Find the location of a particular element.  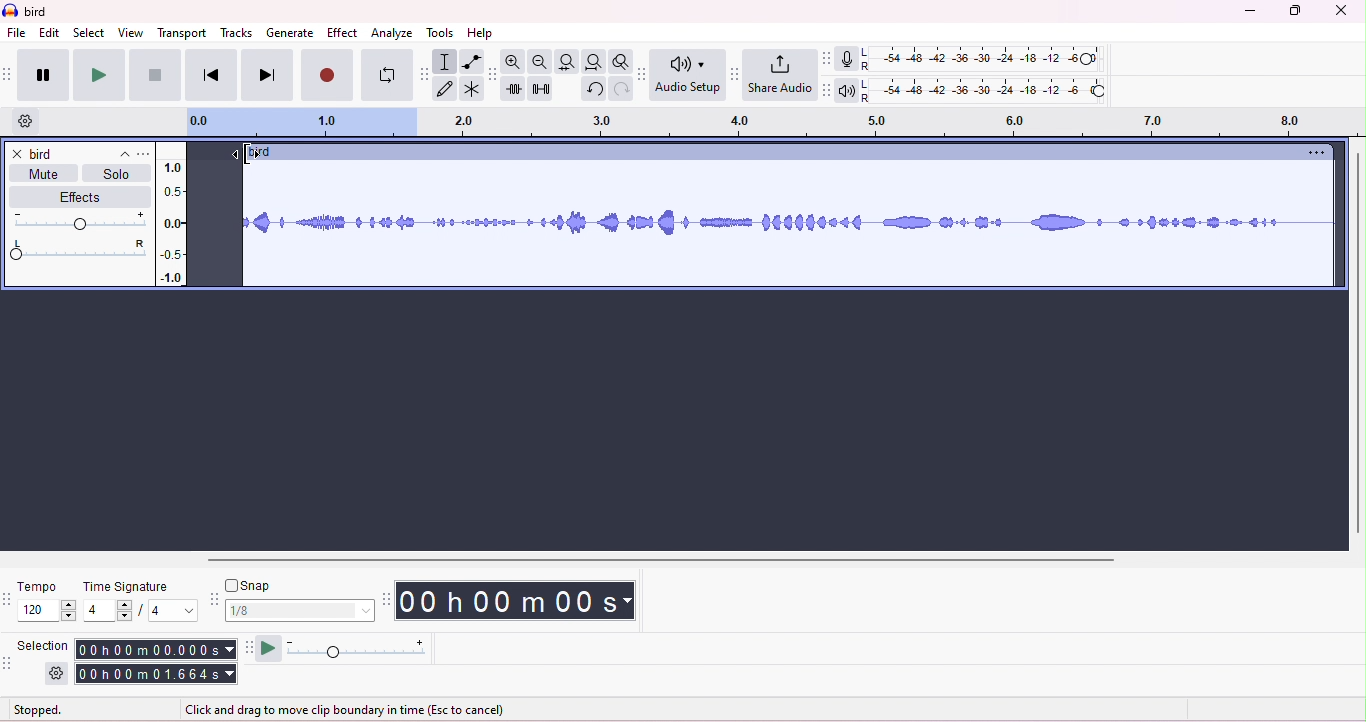

selection is located at coordinates (445, 61).